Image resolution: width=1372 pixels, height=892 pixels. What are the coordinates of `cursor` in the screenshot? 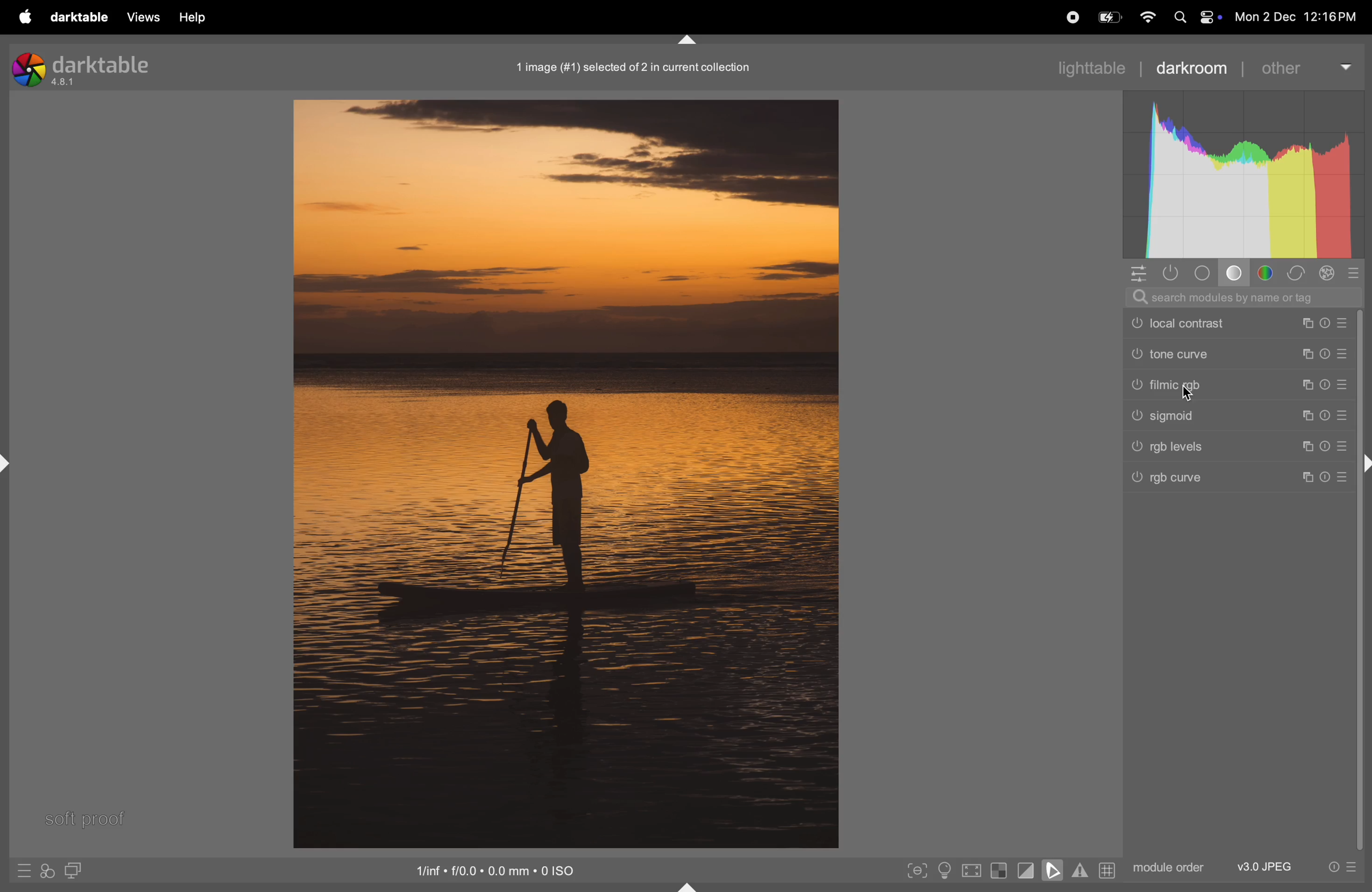 It's located at (1192, 395).